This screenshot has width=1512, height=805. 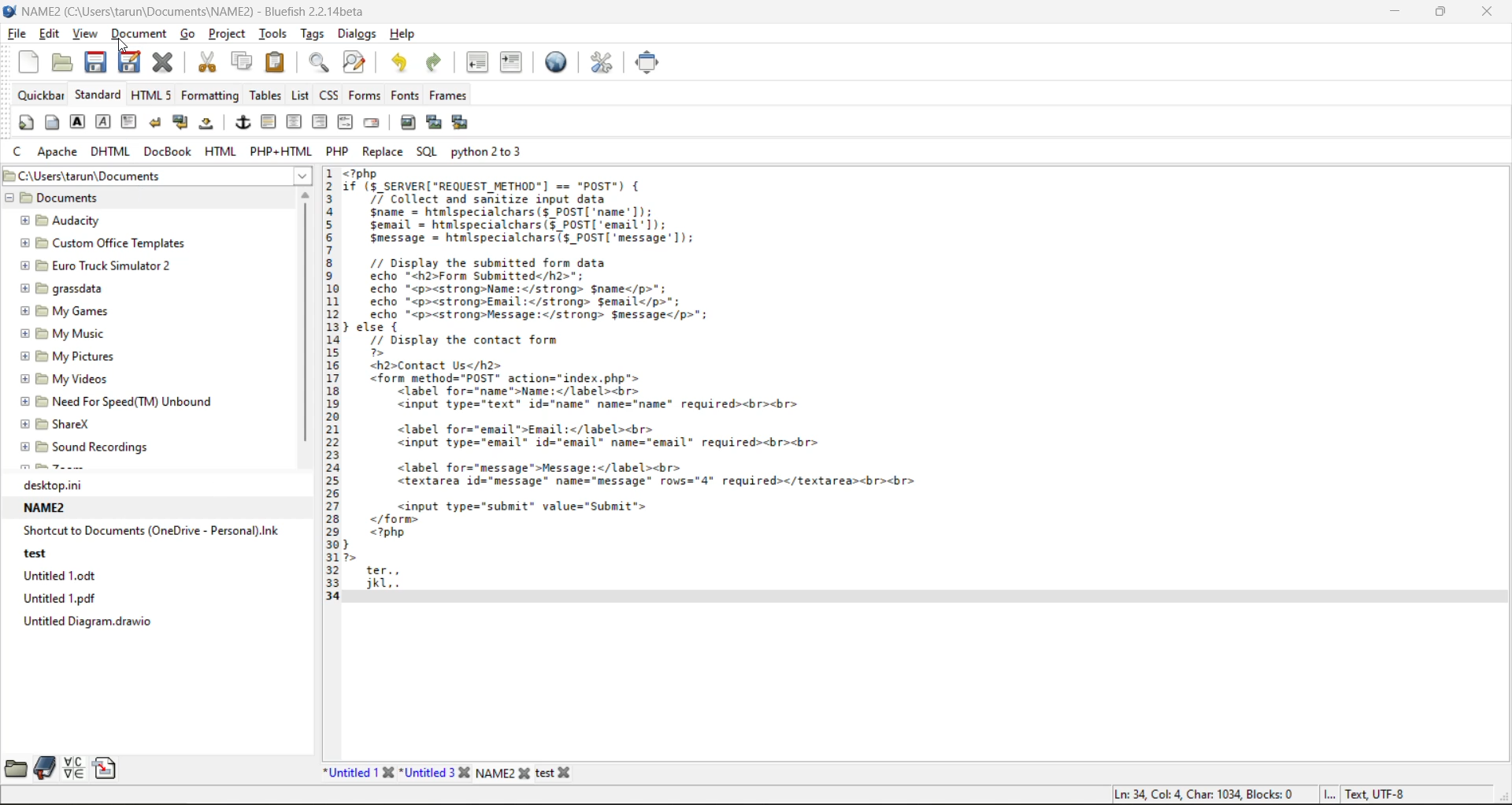 What do you see at coordinates (476, 62) in the screenshot?
I see `unindent` at bounding box center [476, 62].